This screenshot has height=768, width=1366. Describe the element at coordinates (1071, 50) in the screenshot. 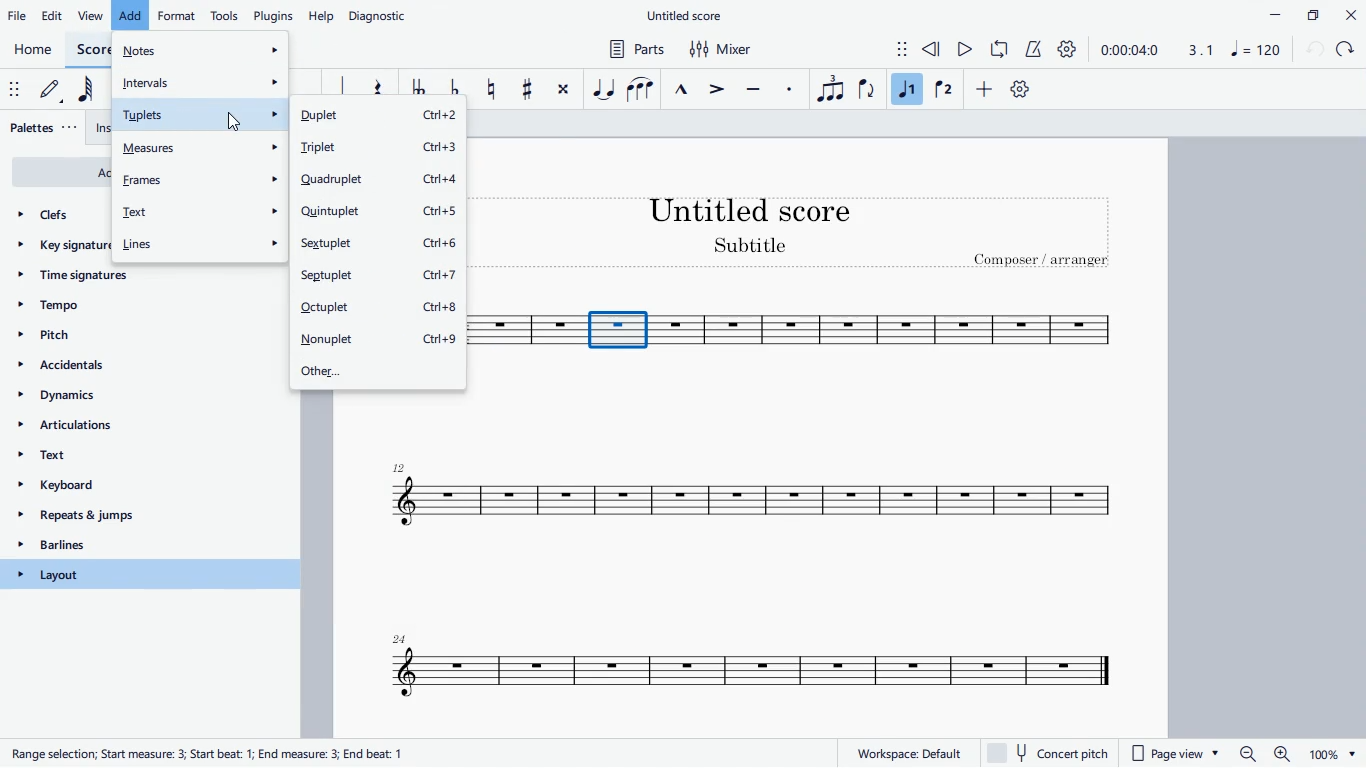

I see `settings` at that location.